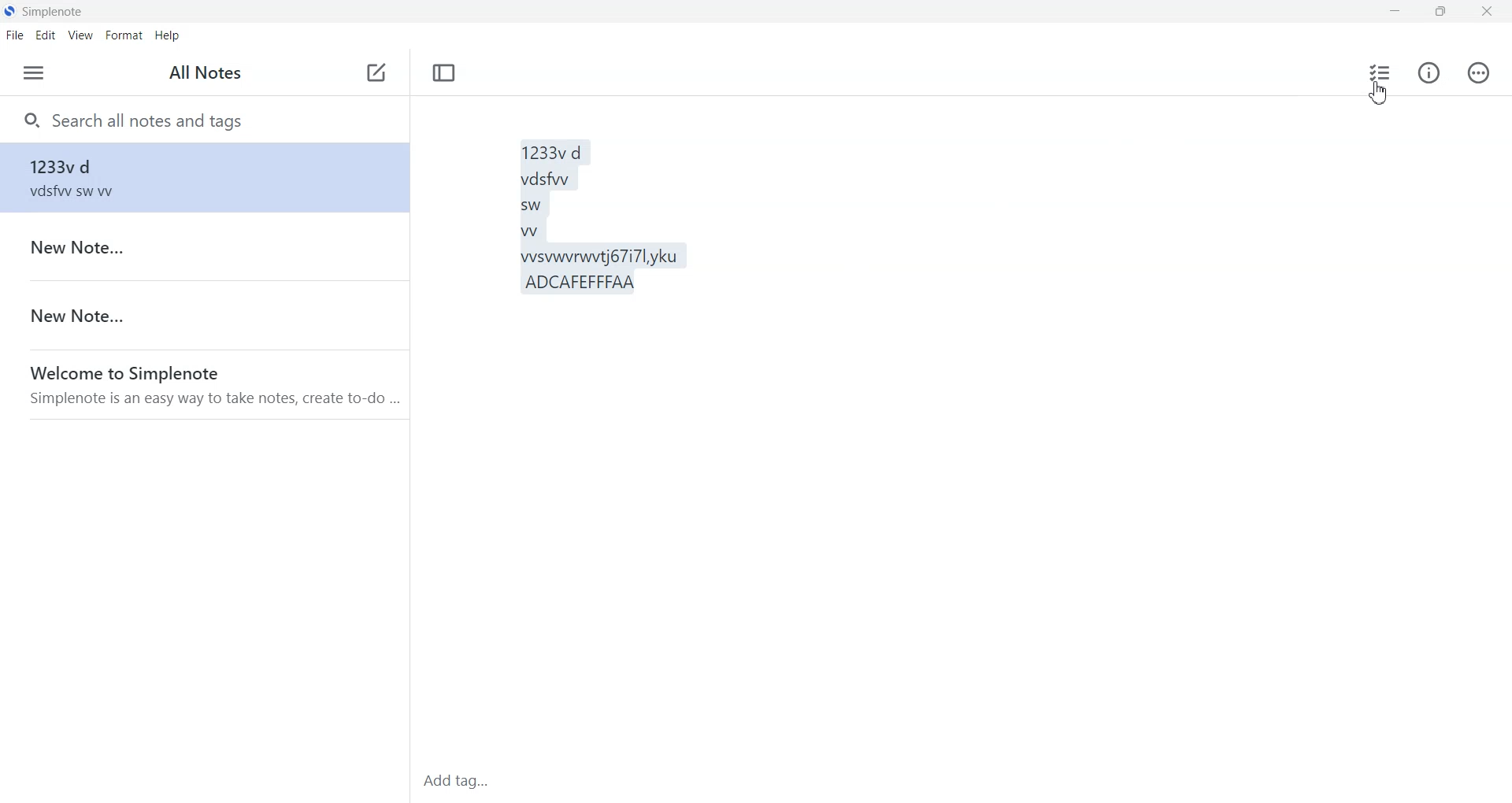  Describe the element at coordinates (34, 73) in the screenshot. I see `Menu` at that location.